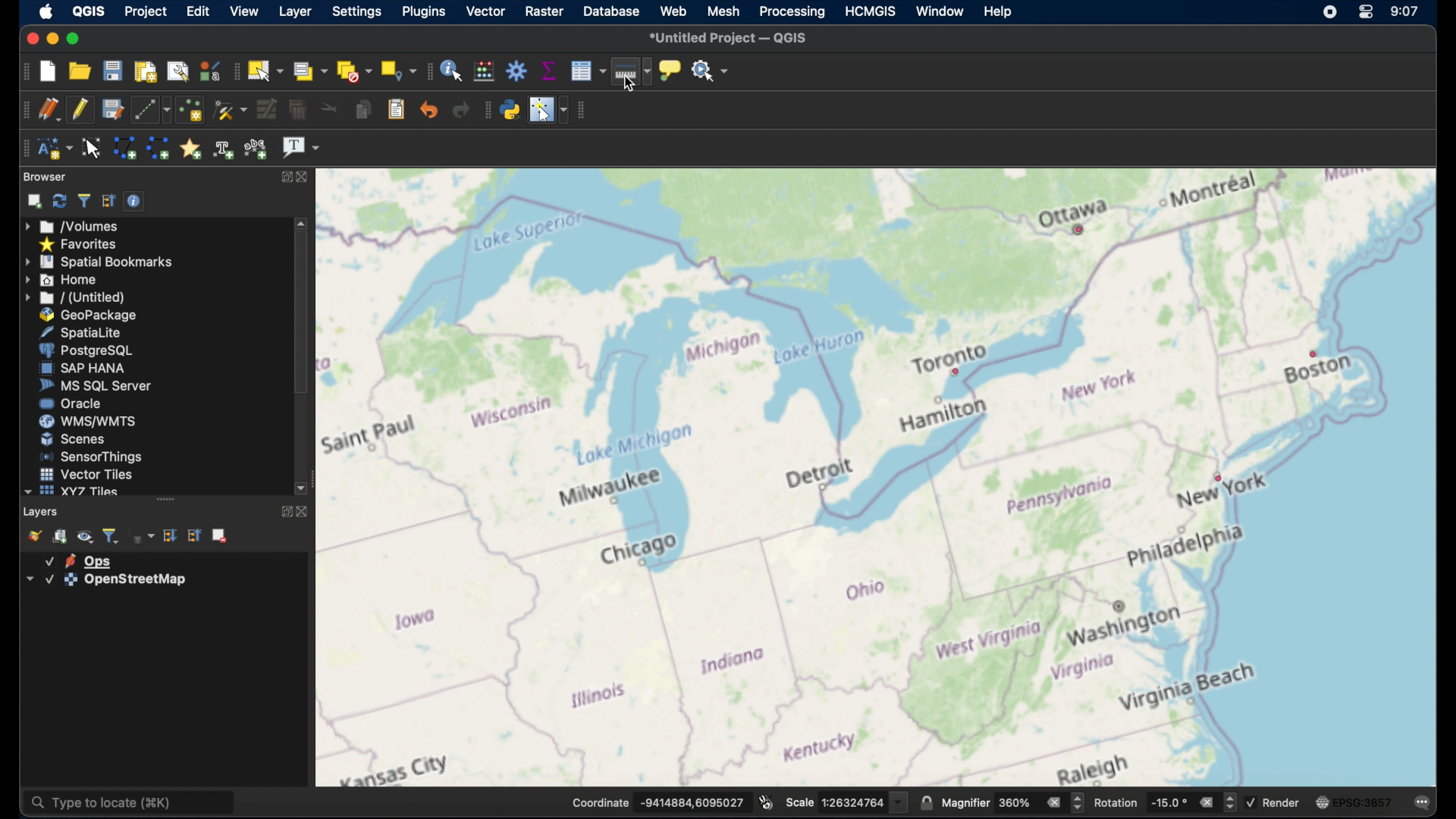 The height and width of the screenshot is (819, 1456). I want to click on magnifier, so click(1012, 802).